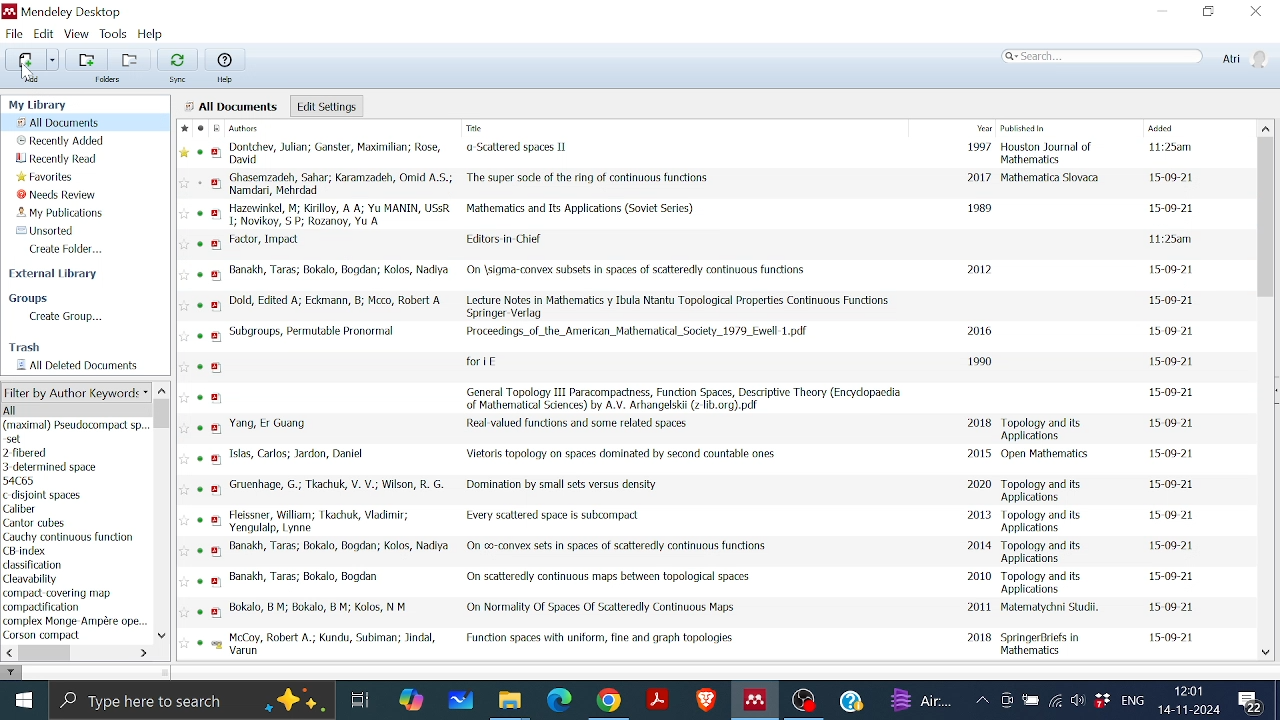 The height and width of the screenshot is (720, 1280). What do you see at coordinates (227, 82) in the screenshot?
I see `Help` at bounding box center [227, 82].